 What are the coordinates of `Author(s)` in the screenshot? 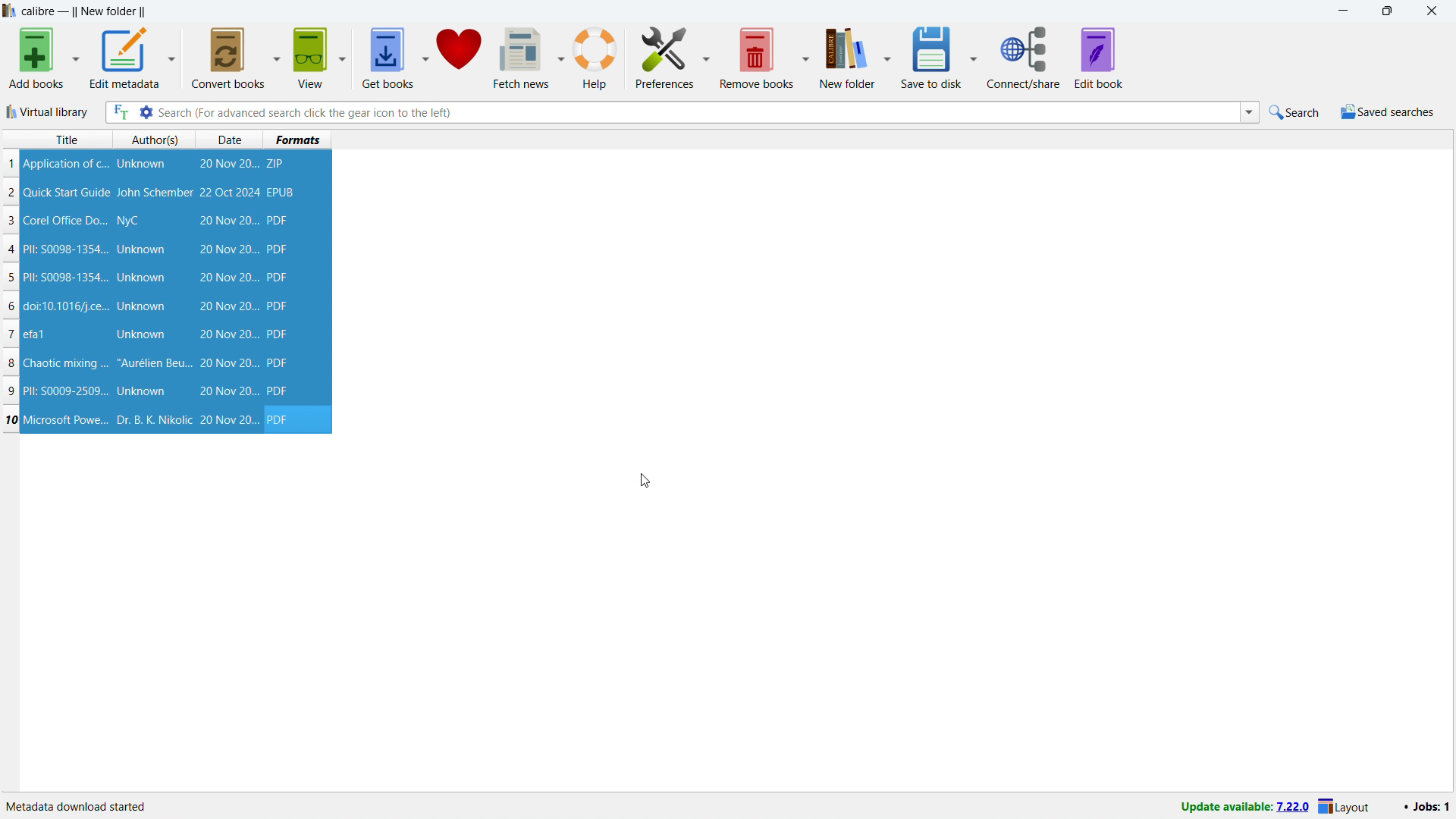 It's located at (155, 140).